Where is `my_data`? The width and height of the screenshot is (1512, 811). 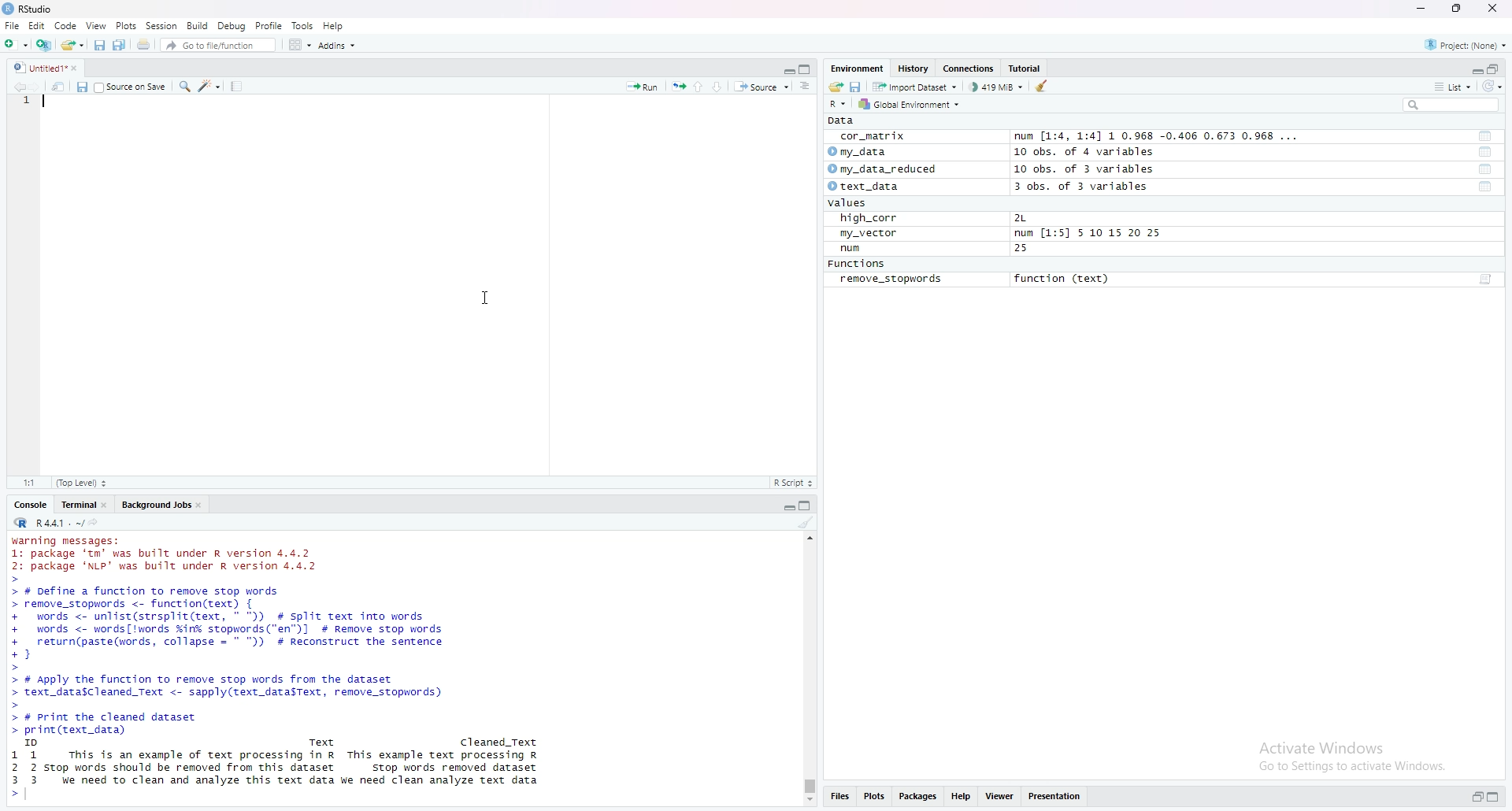 my_data is located at coordinates (858, 152).